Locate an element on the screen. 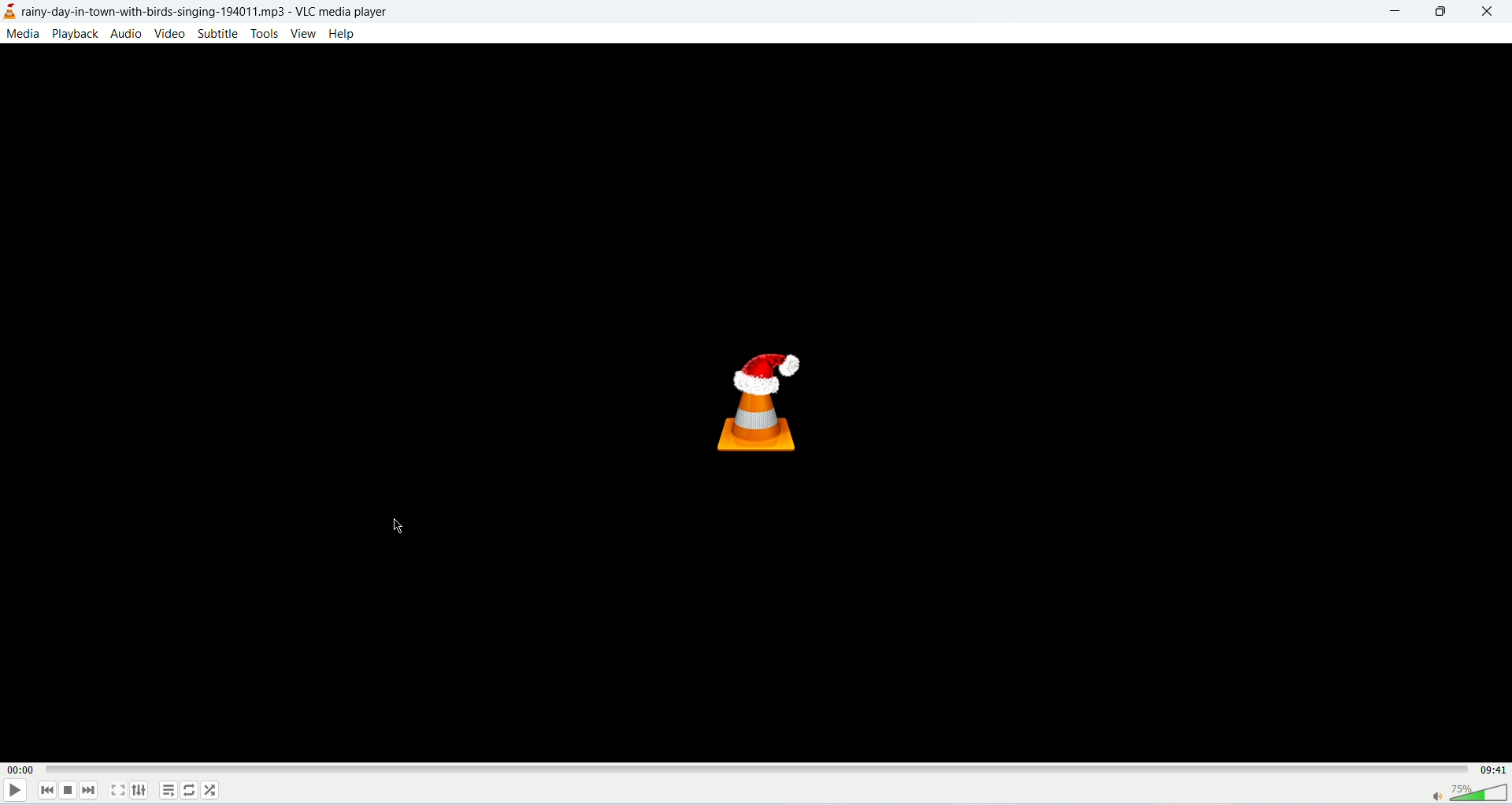 Image resolution: width=1512 pixels, height=805 pixels. play/pause is located at coordinates (15, 793).